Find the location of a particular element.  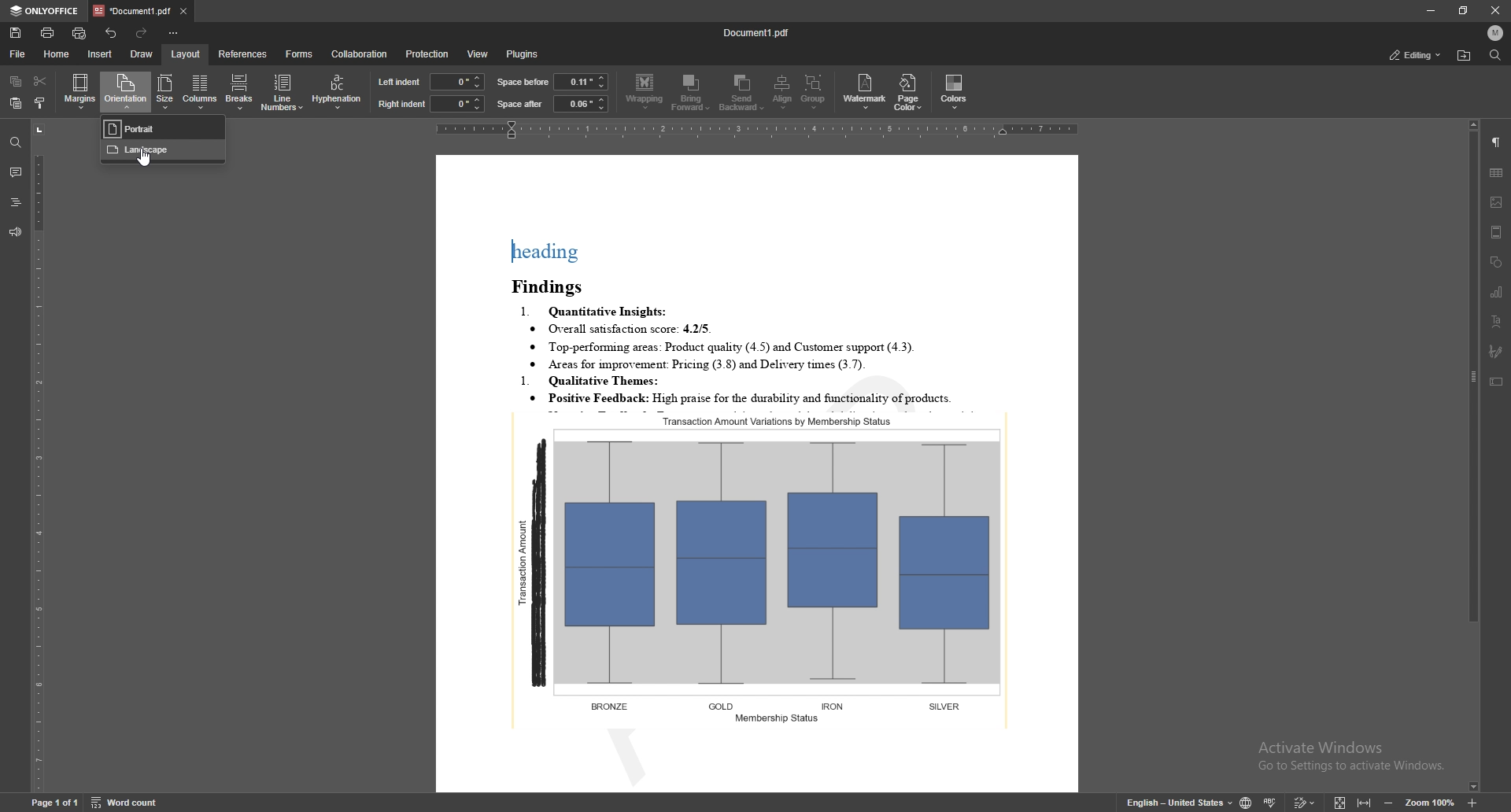

zoom is located at coordinates (1430, 803).